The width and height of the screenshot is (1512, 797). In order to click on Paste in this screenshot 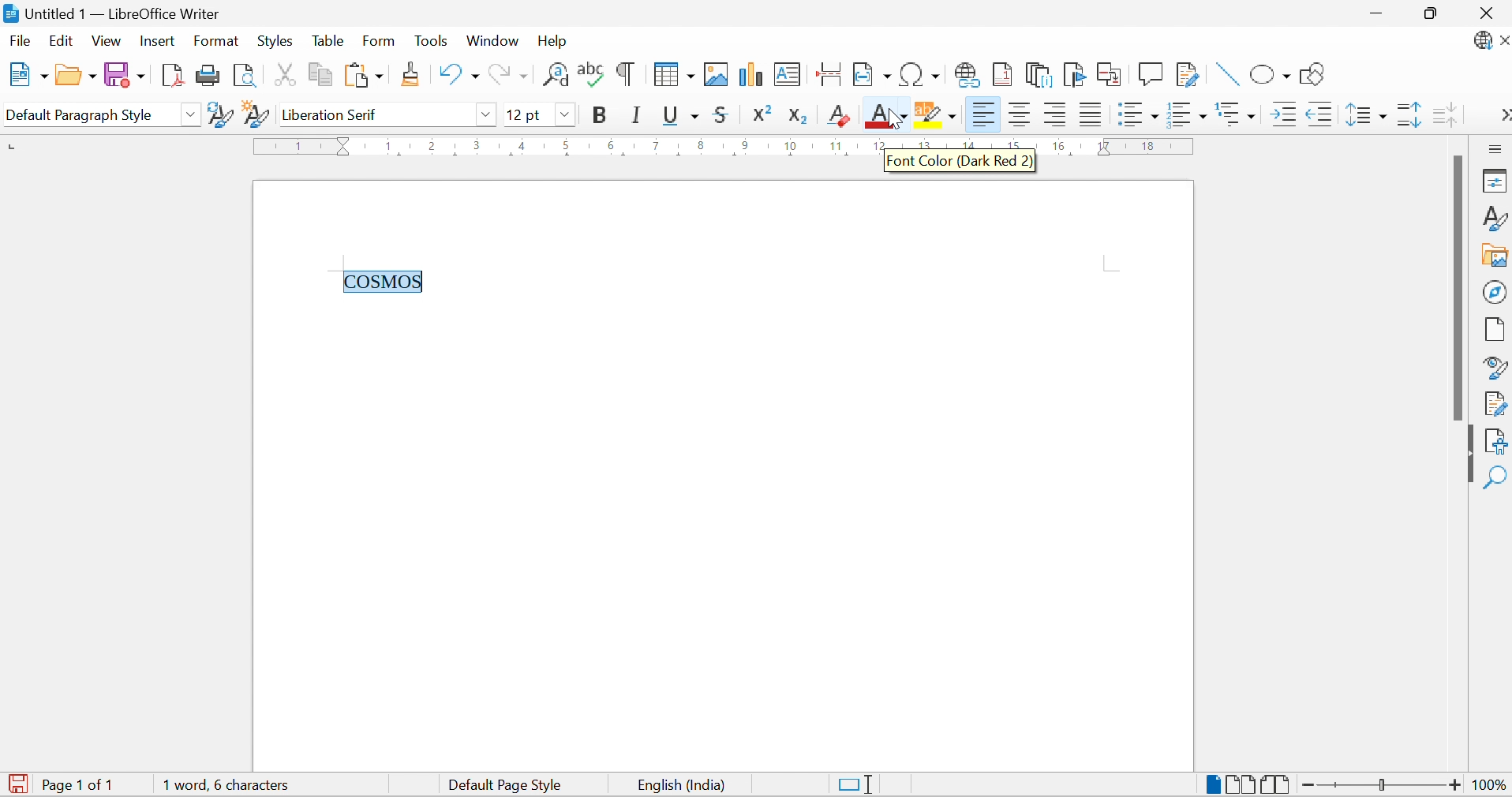, I will do `click(363, 75)`.